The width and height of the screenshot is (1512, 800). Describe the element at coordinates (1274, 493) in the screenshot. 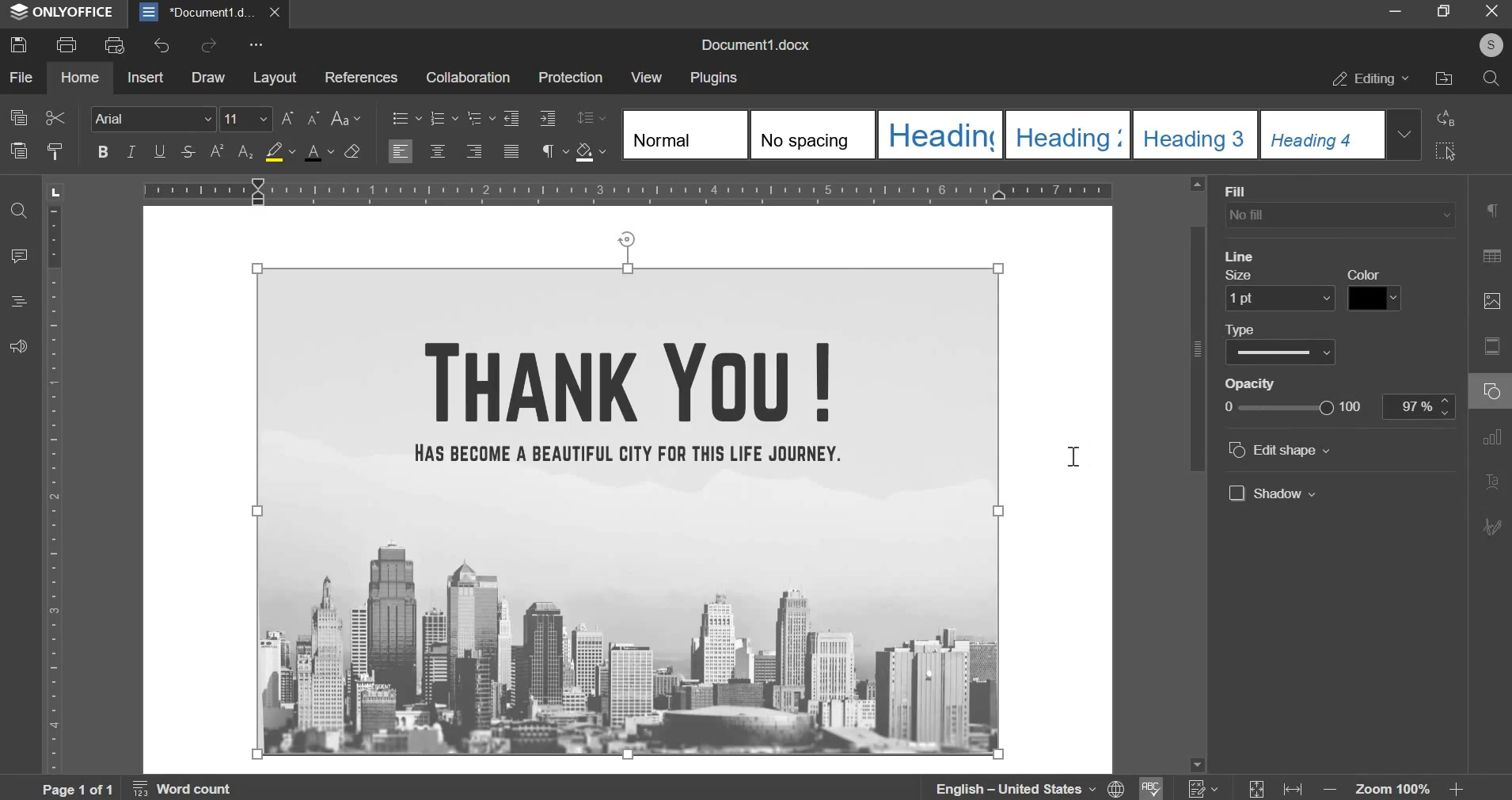

I see `Shadow` at that location.